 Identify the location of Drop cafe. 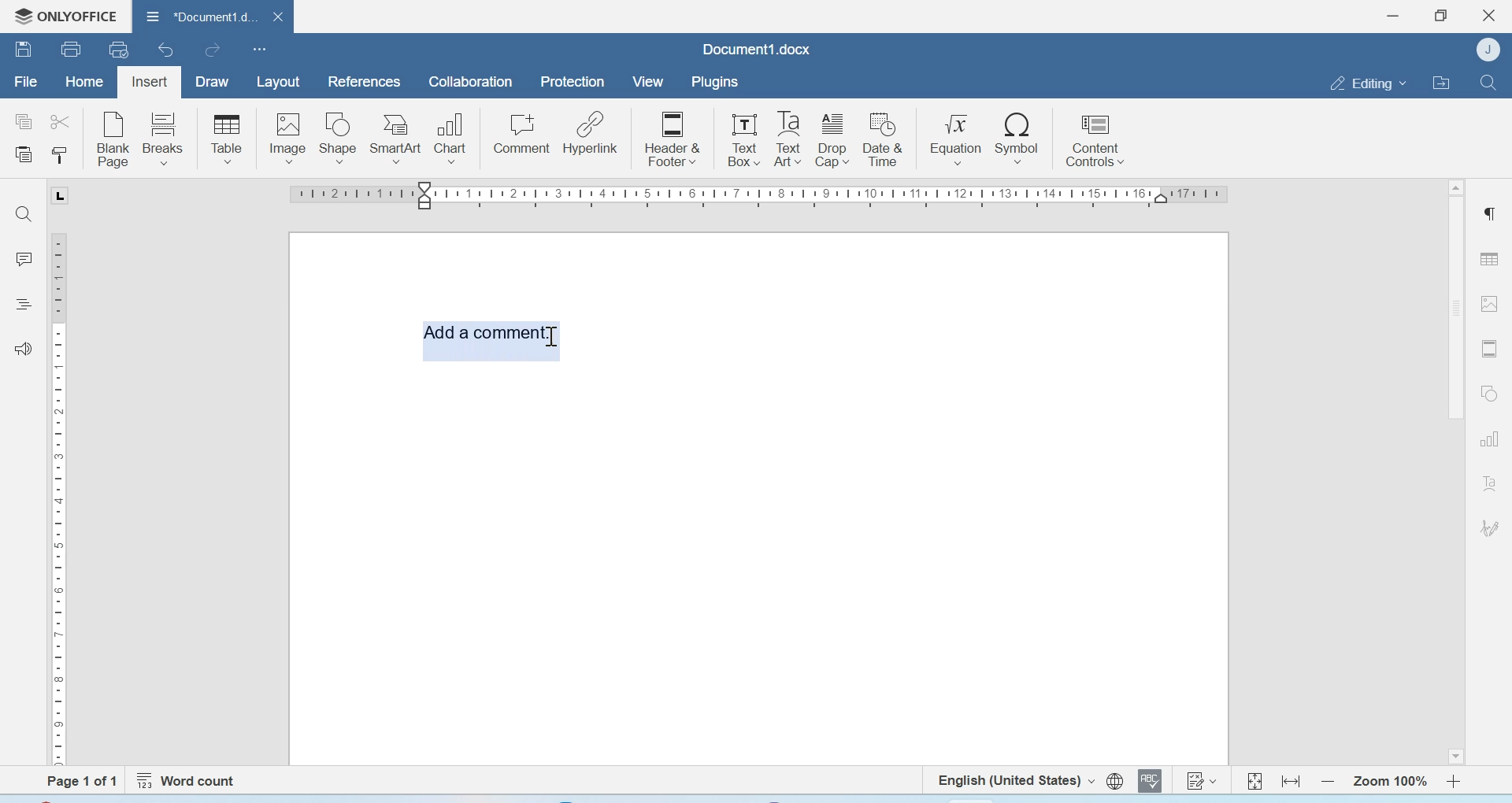
(834, 139).